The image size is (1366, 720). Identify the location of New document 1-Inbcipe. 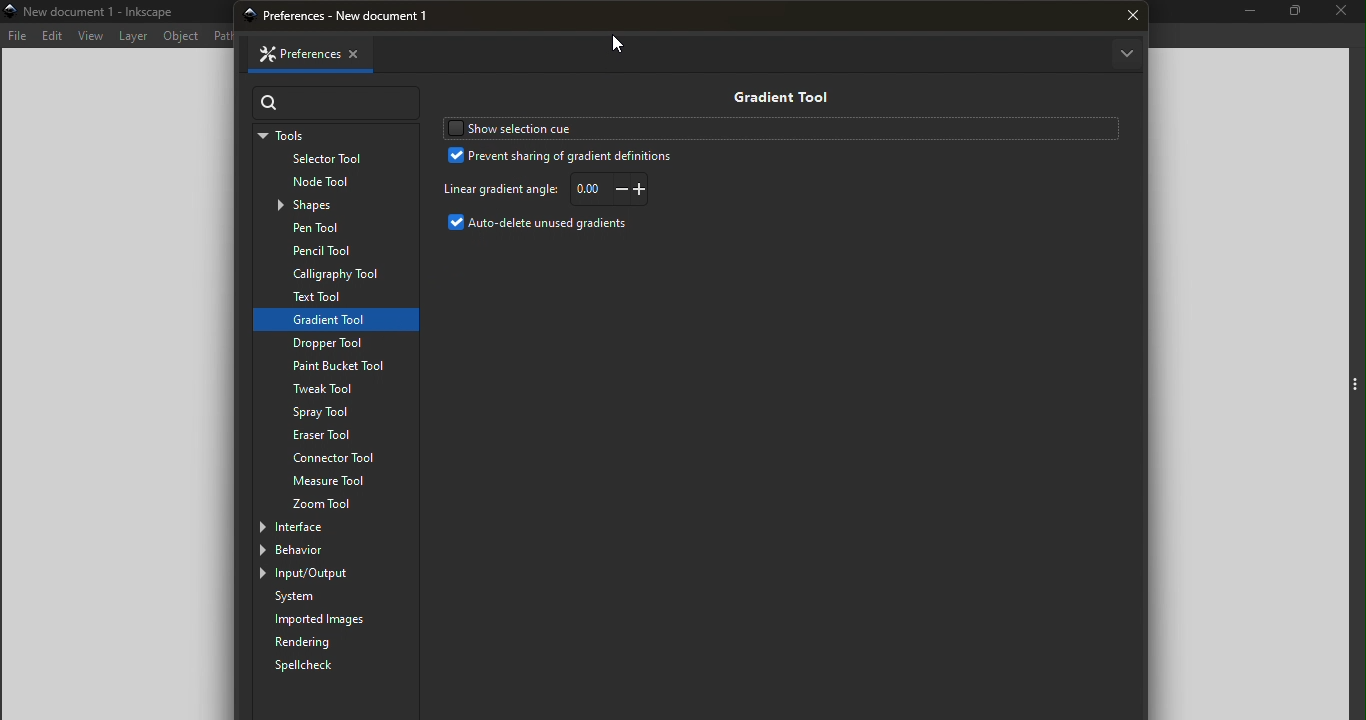
(104, 11).